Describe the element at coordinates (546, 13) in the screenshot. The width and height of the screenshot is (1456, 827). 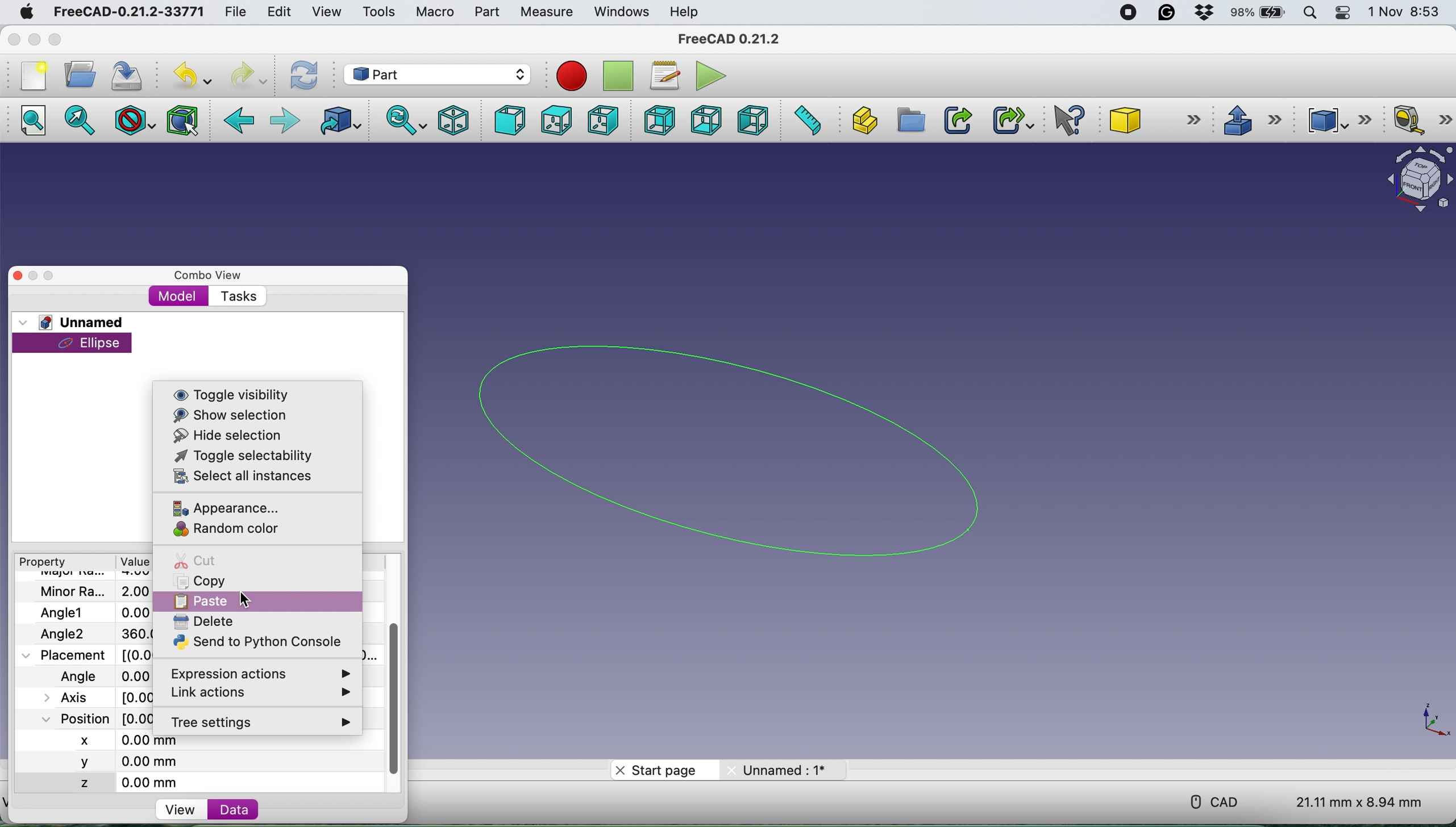
I see `measure` at that location.